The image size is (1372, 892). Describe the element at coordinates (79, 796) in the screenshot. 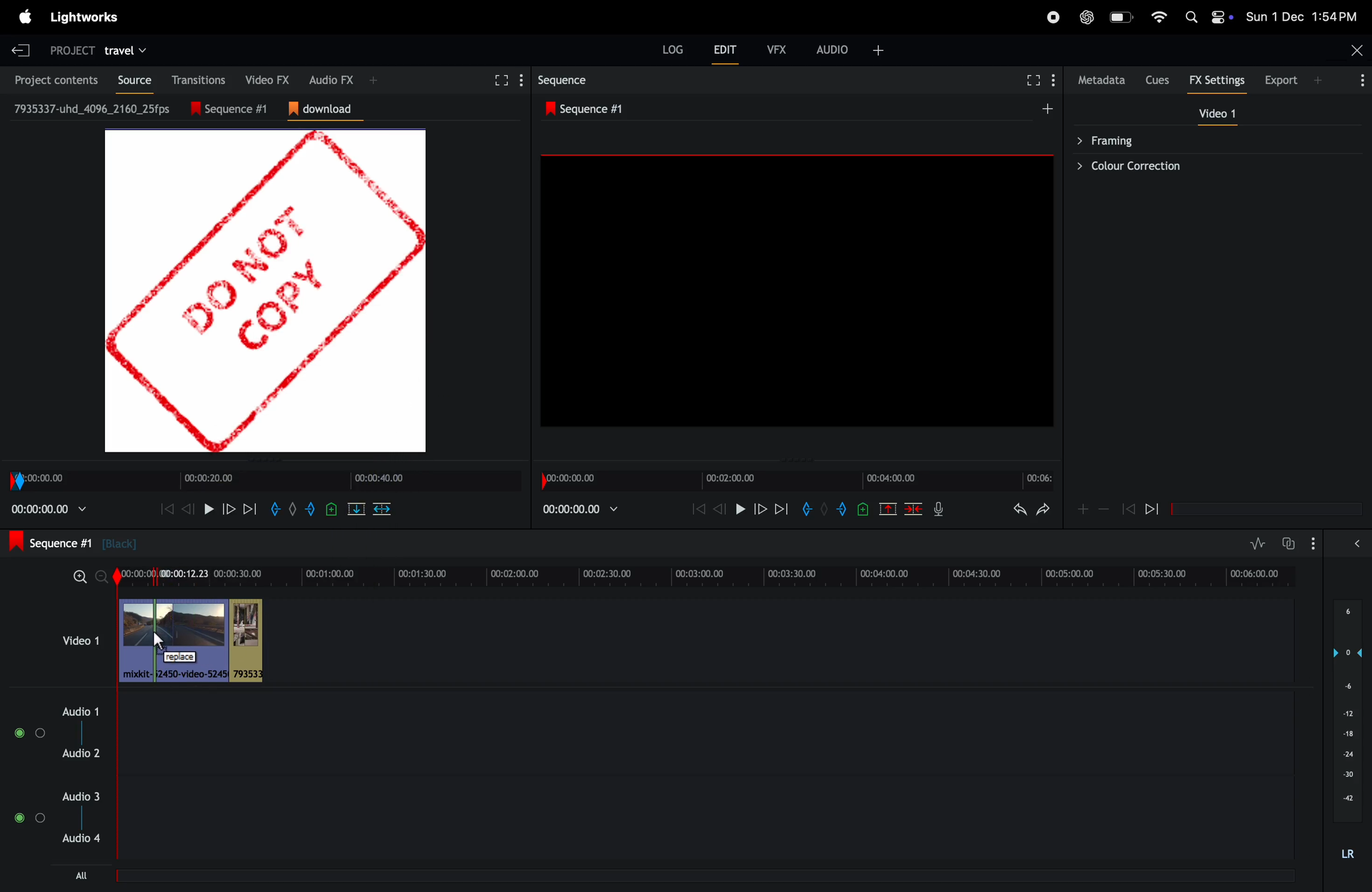

I see `audio 3` at that location.